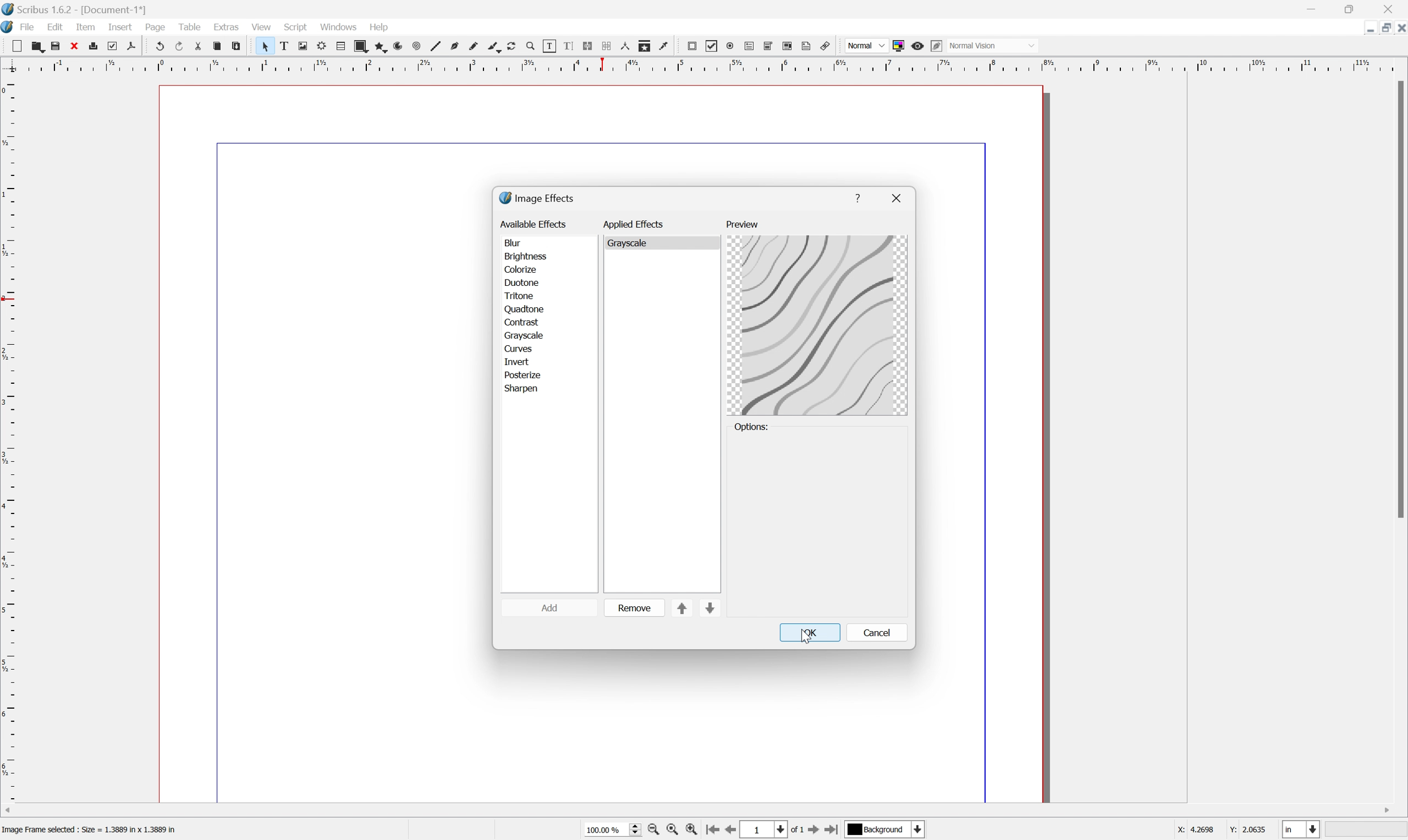  Describe the element at coordinates (626, 47) in the screenshot. I see `Measurements` at that location.